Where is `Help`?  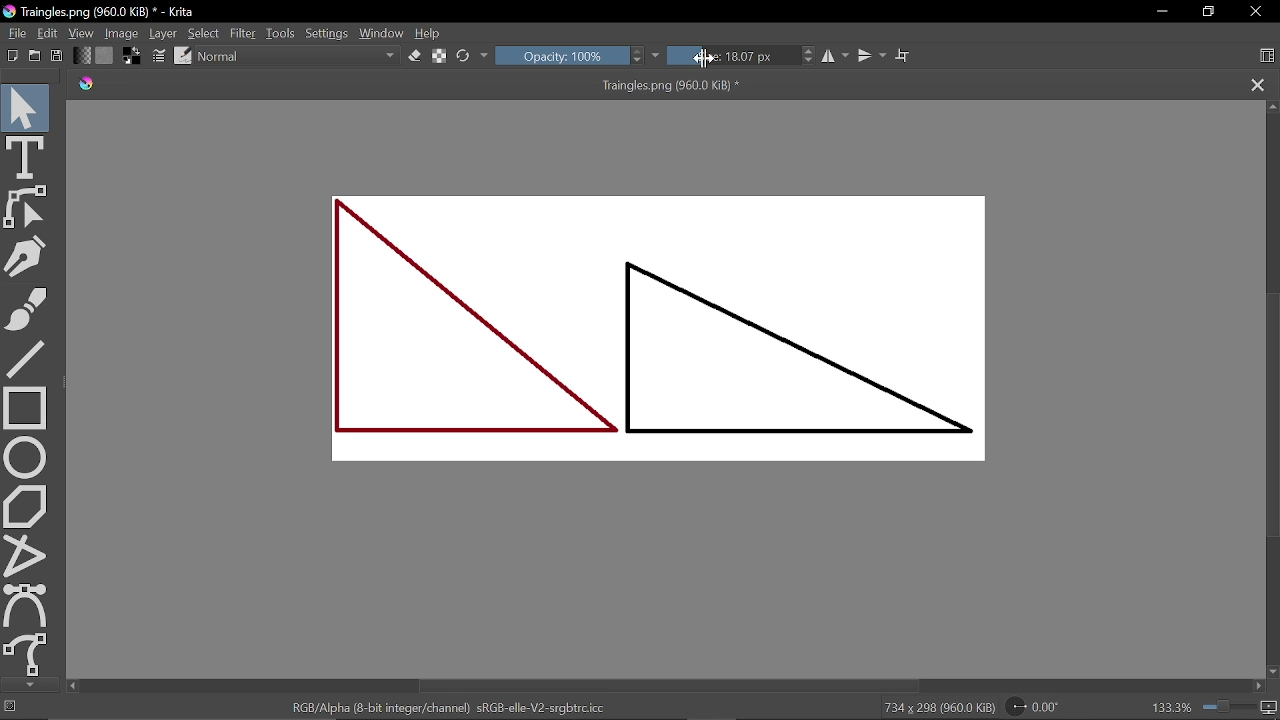
Help is located at coordinates (428, 34).